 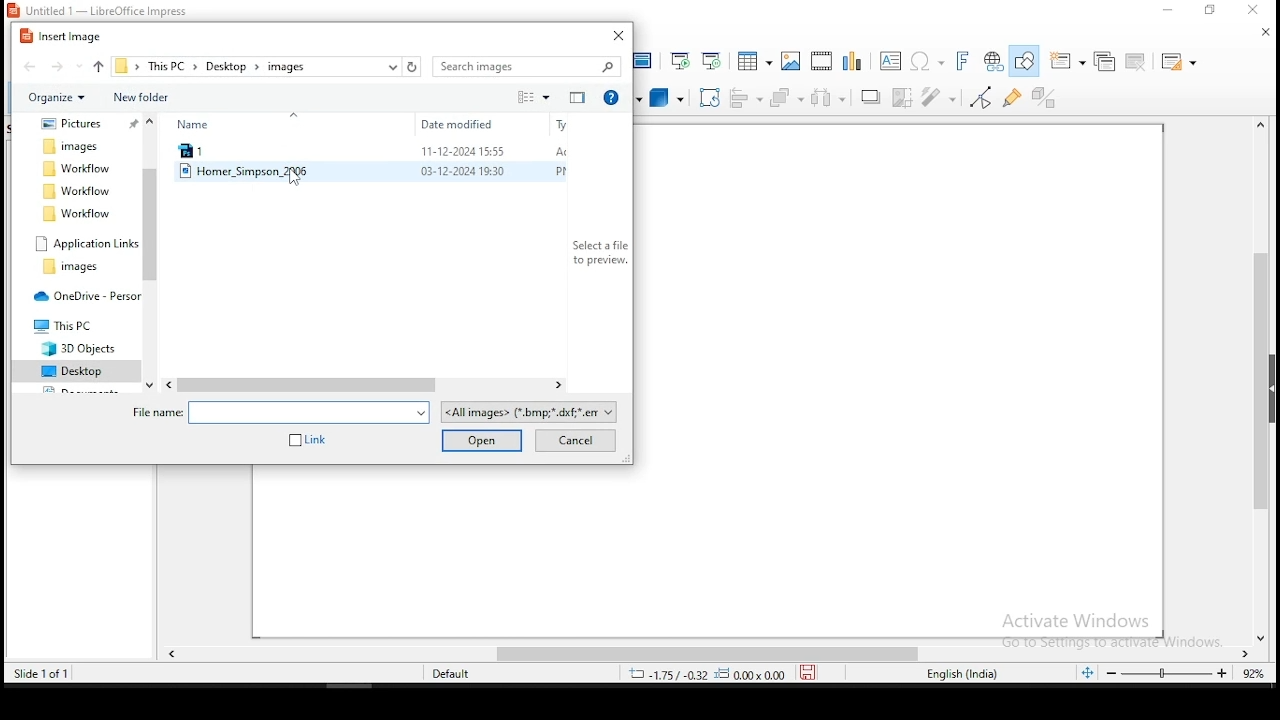 What do you see at coordinates (745, 95) in the screenshot?
I see `align objects` at bounding box center [745, 95].